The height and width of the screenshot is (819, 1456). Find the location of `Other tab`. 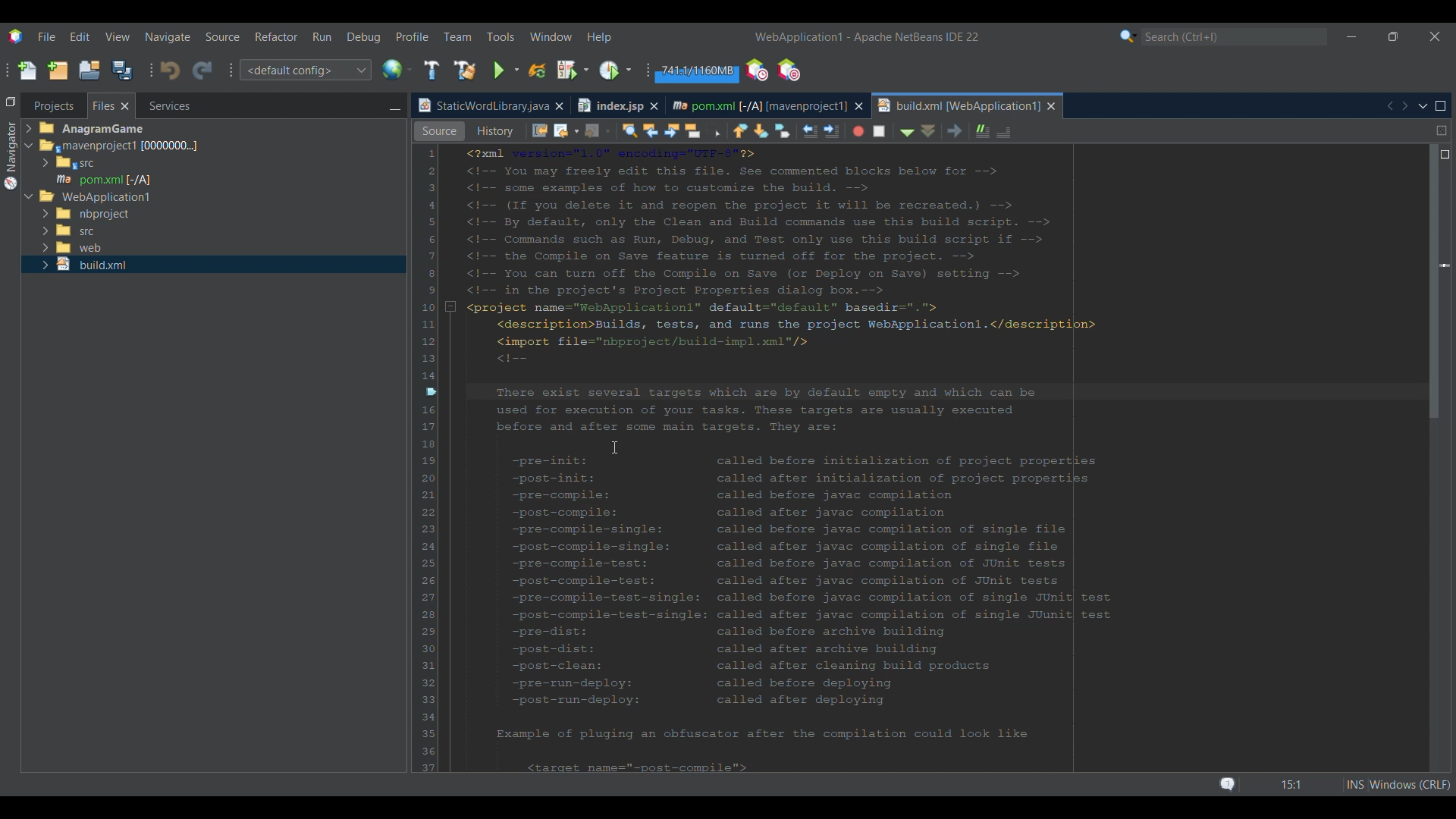

Other tab is located at coordinates (617, 105).